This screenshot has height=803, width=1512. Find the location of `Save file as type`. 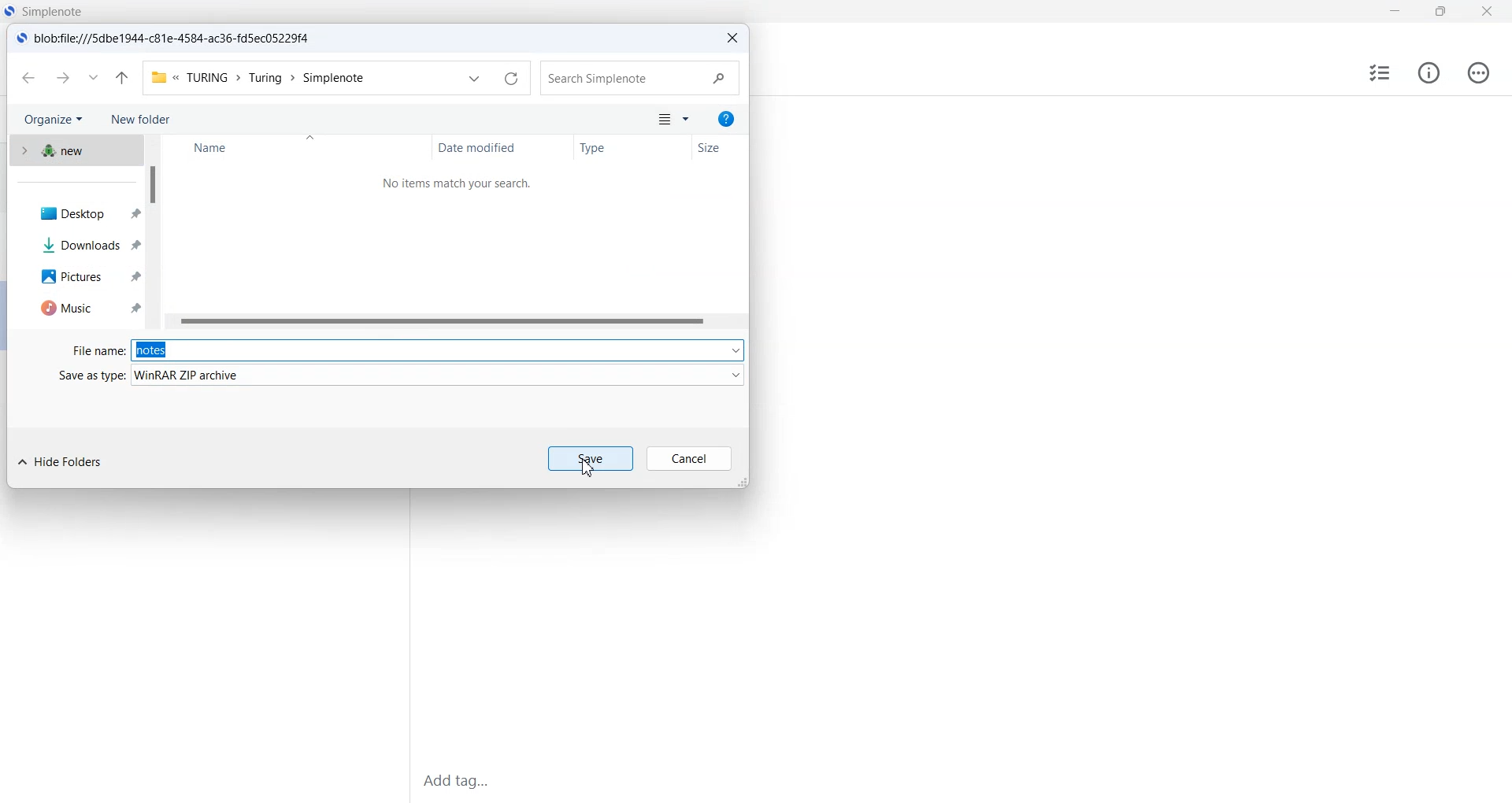

Save file as type is located at coordinates (439, 375).